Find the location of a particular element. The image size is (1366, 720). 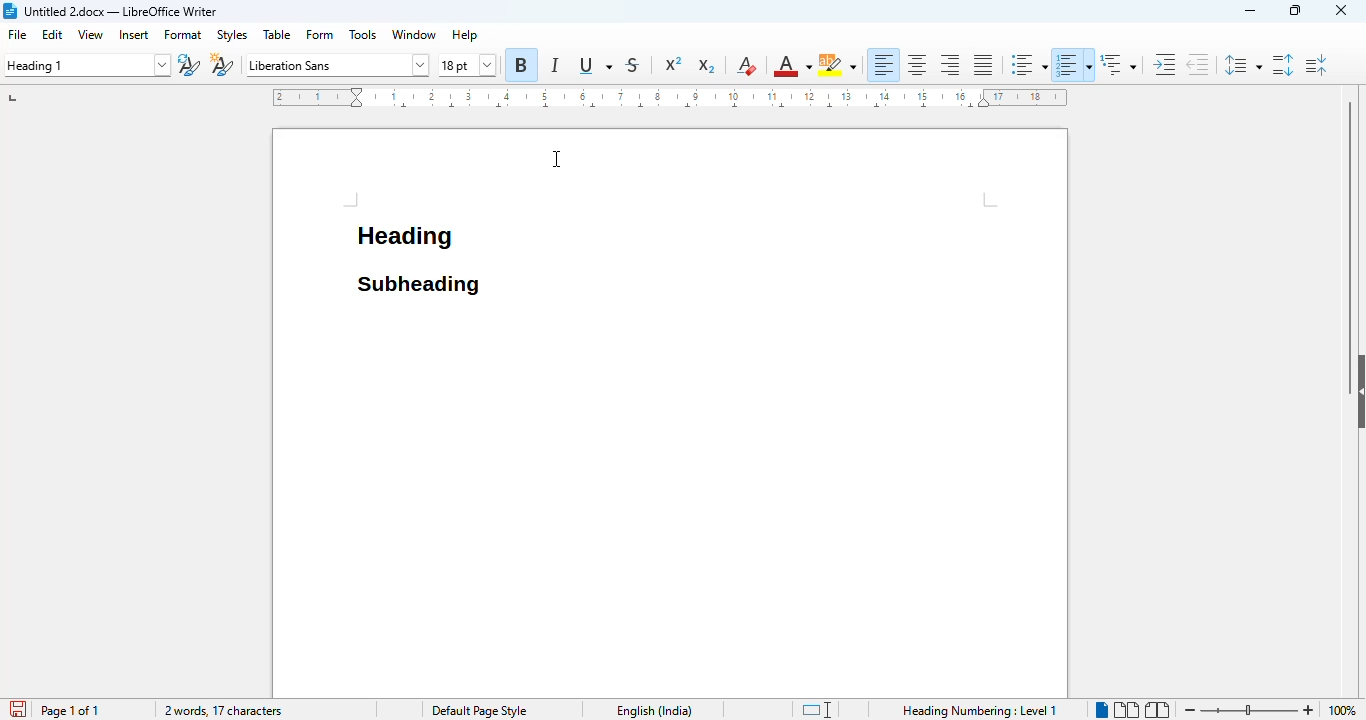

close is located at coordinates (1341, 9).